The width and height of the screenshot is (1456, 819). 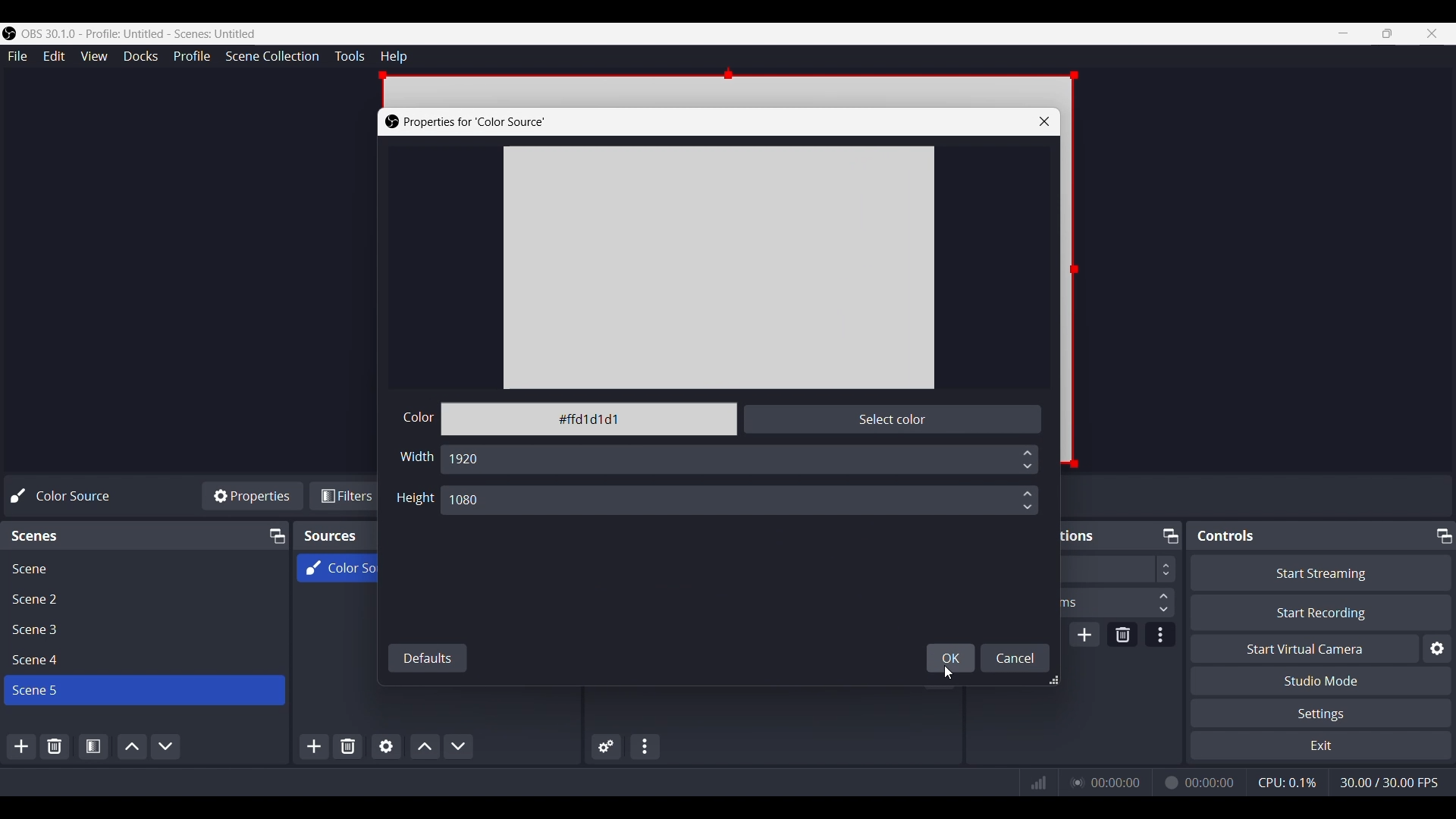 I want to click on Height of color source canvas, so click(x=415, y=500).